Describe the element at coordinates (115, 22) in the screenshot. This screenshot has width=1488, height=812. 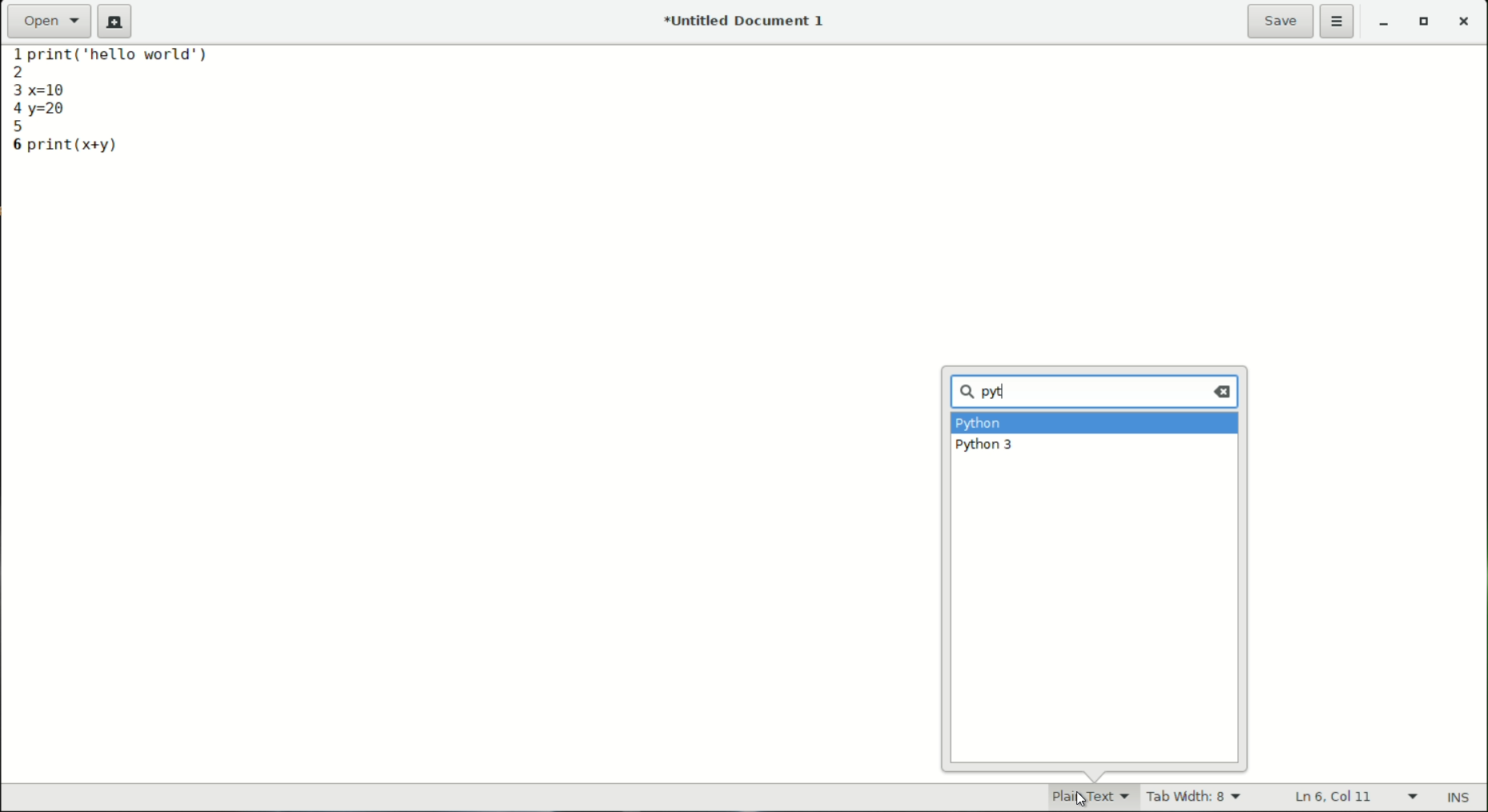
I see `new tab` at that location.